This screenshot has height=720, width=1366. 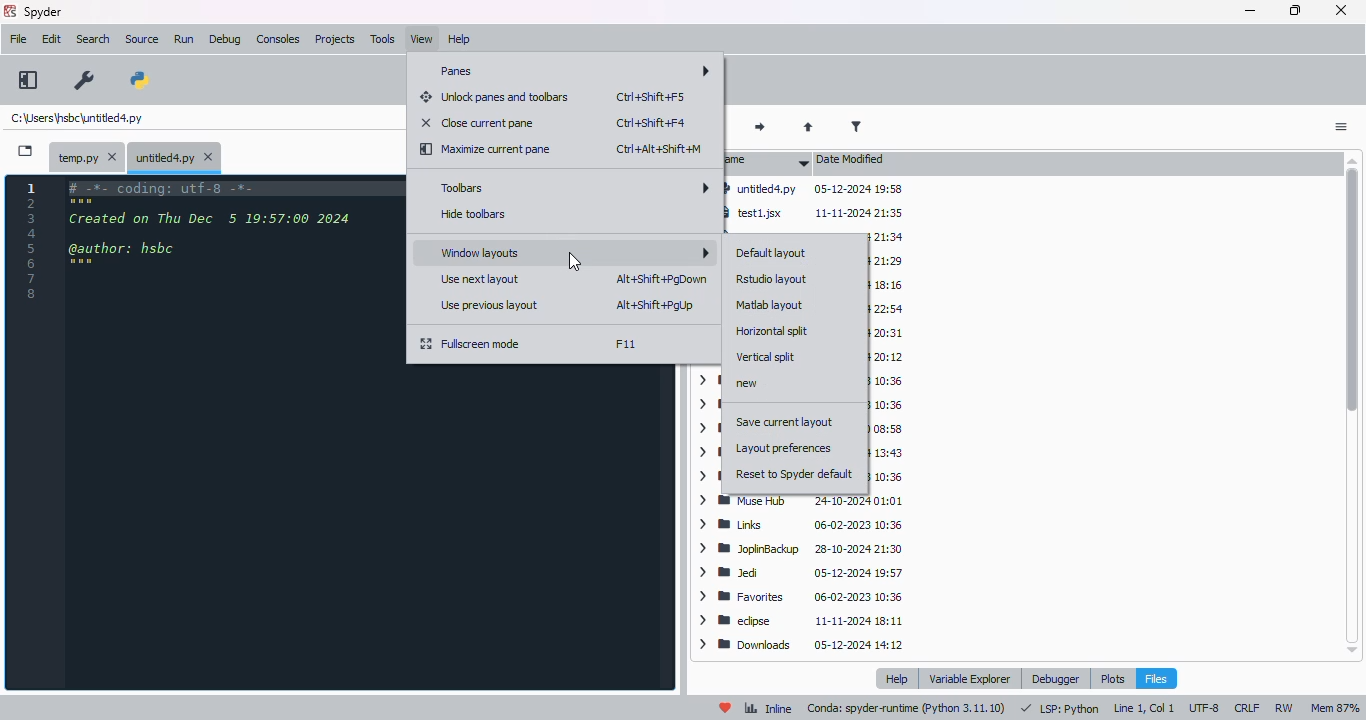 What do you see at coordinates (1335, 708) in the screenshot?
I see `mem 87%` at bounding box center [1335, 708].